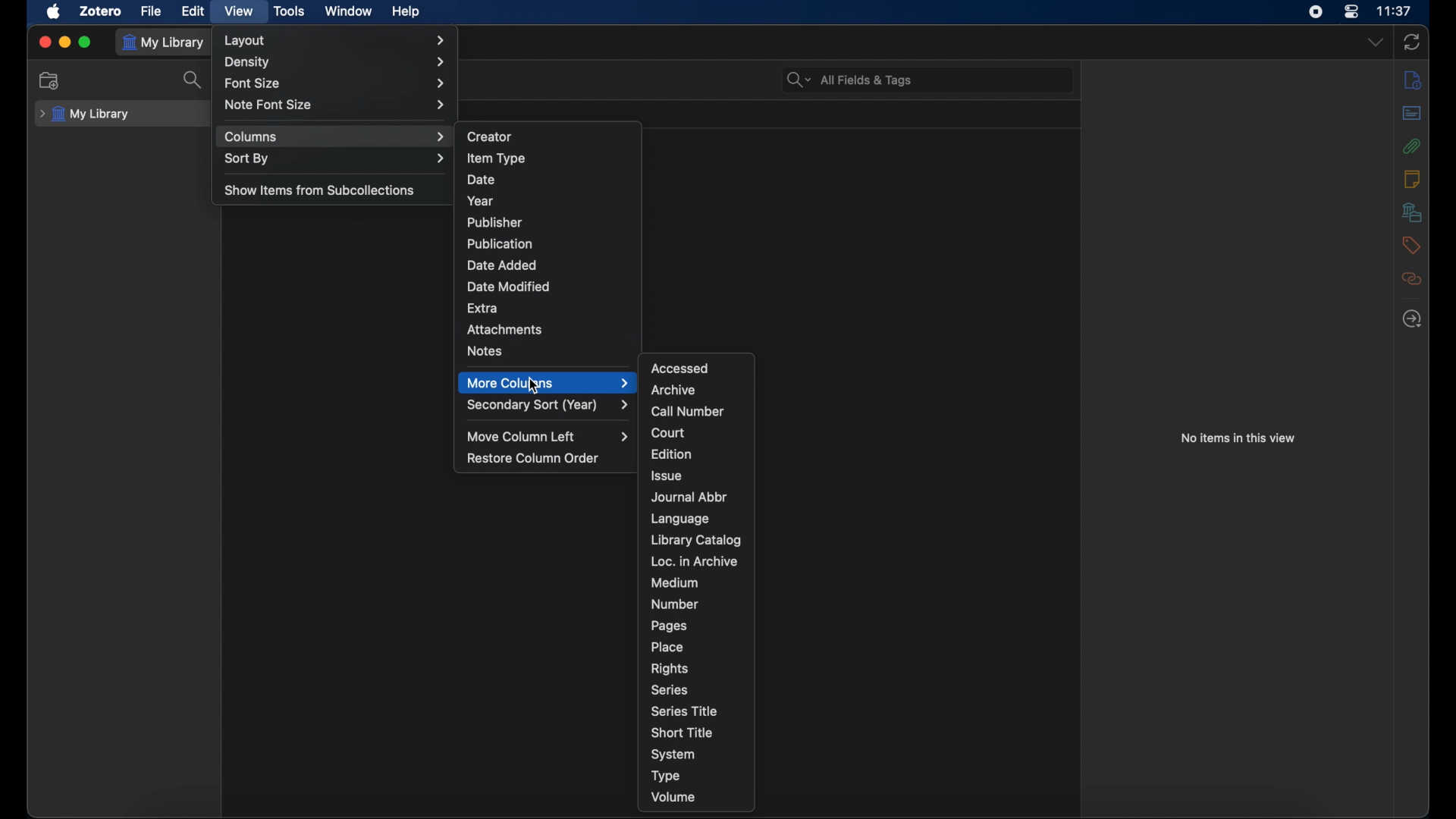 This screenshot has width=1456, height=819. Describe the element at coordinates (666, 777) in the screenshot. I see `type` at that location.